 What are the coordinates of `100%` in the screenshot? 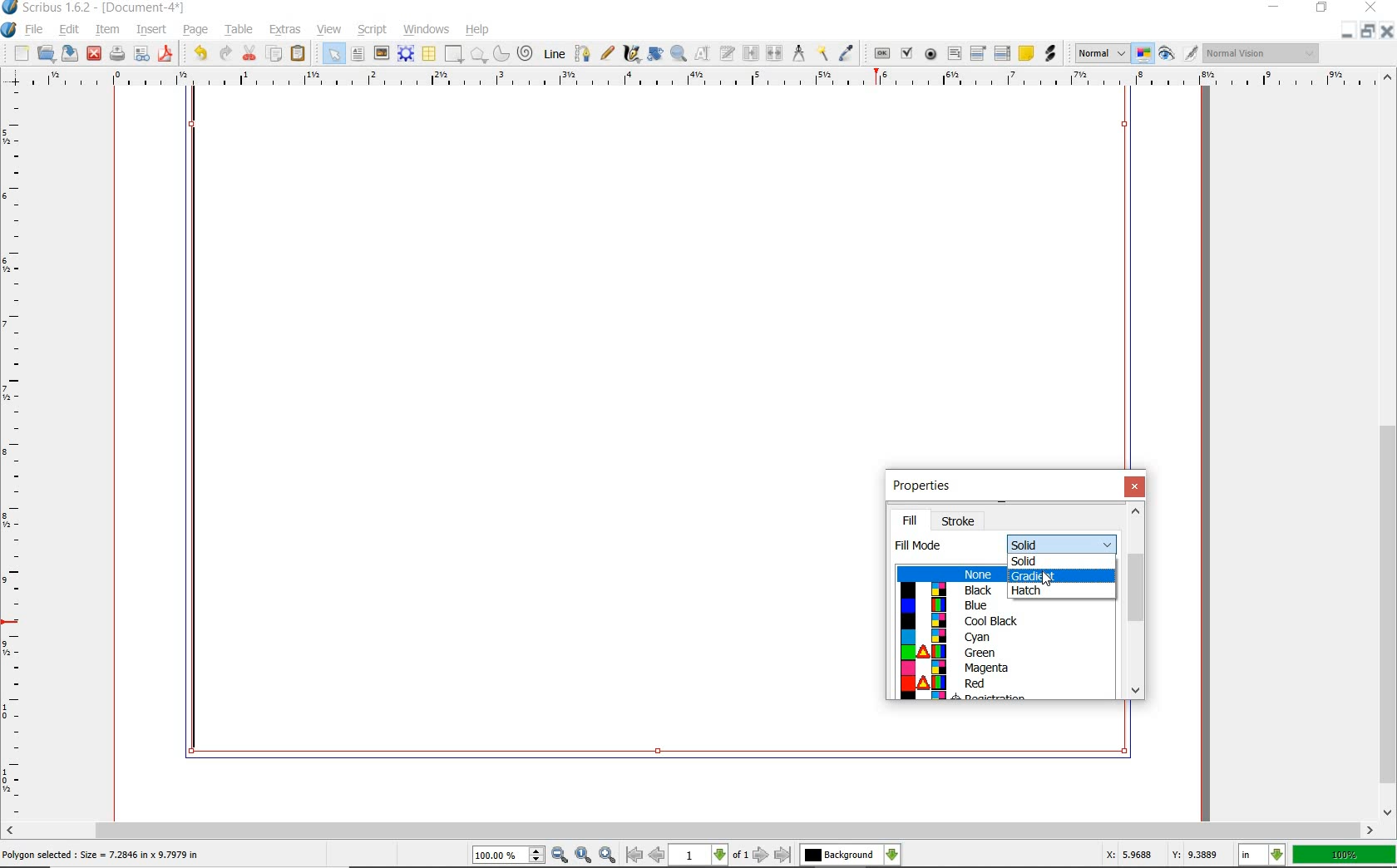 It's located at (1344, 855).